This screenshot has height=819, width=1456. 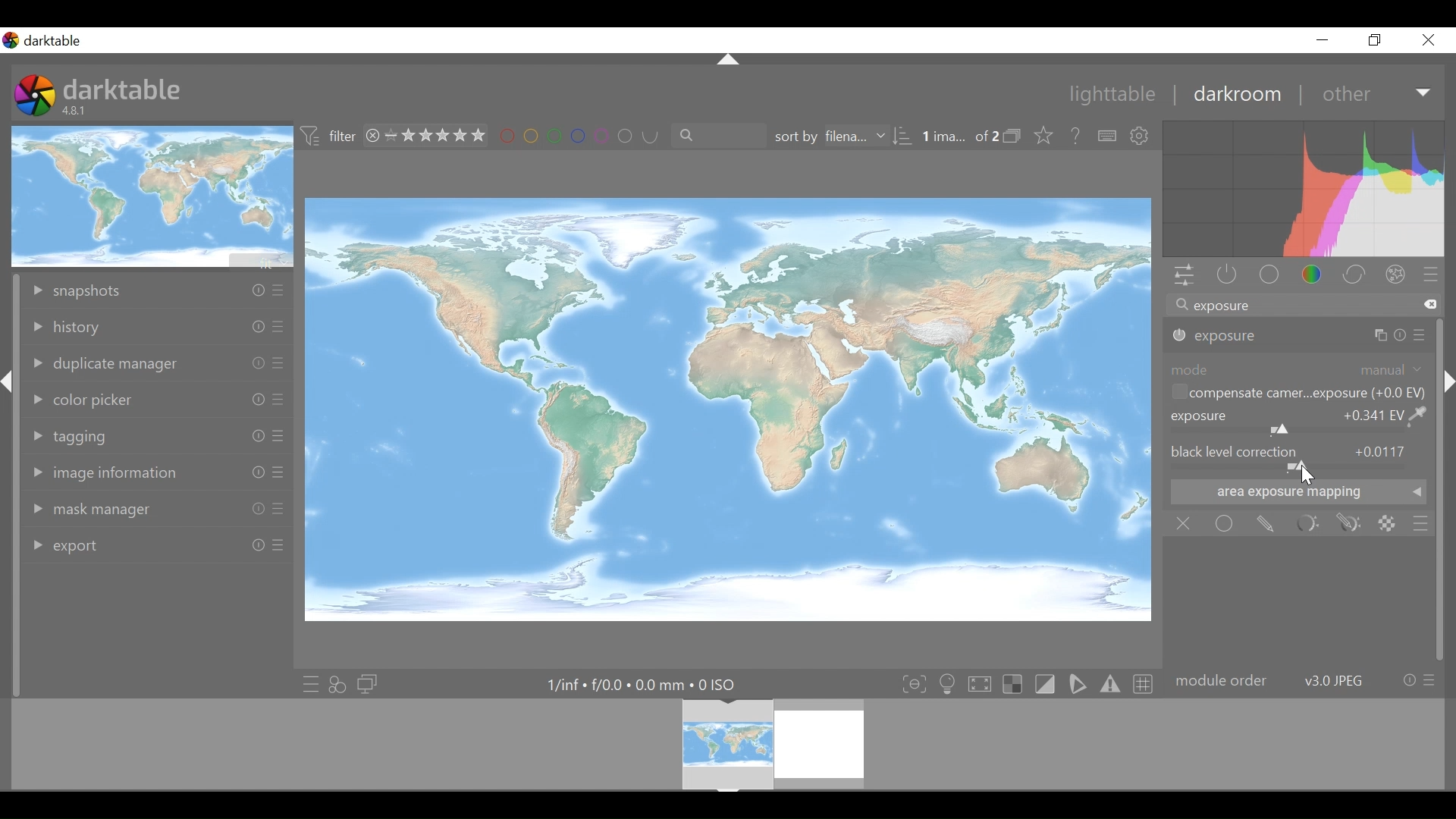 What do you see at coordinates (1105, 136) in the screenshot?
I see `define shortcut ` at bounding box center [1105, 136].